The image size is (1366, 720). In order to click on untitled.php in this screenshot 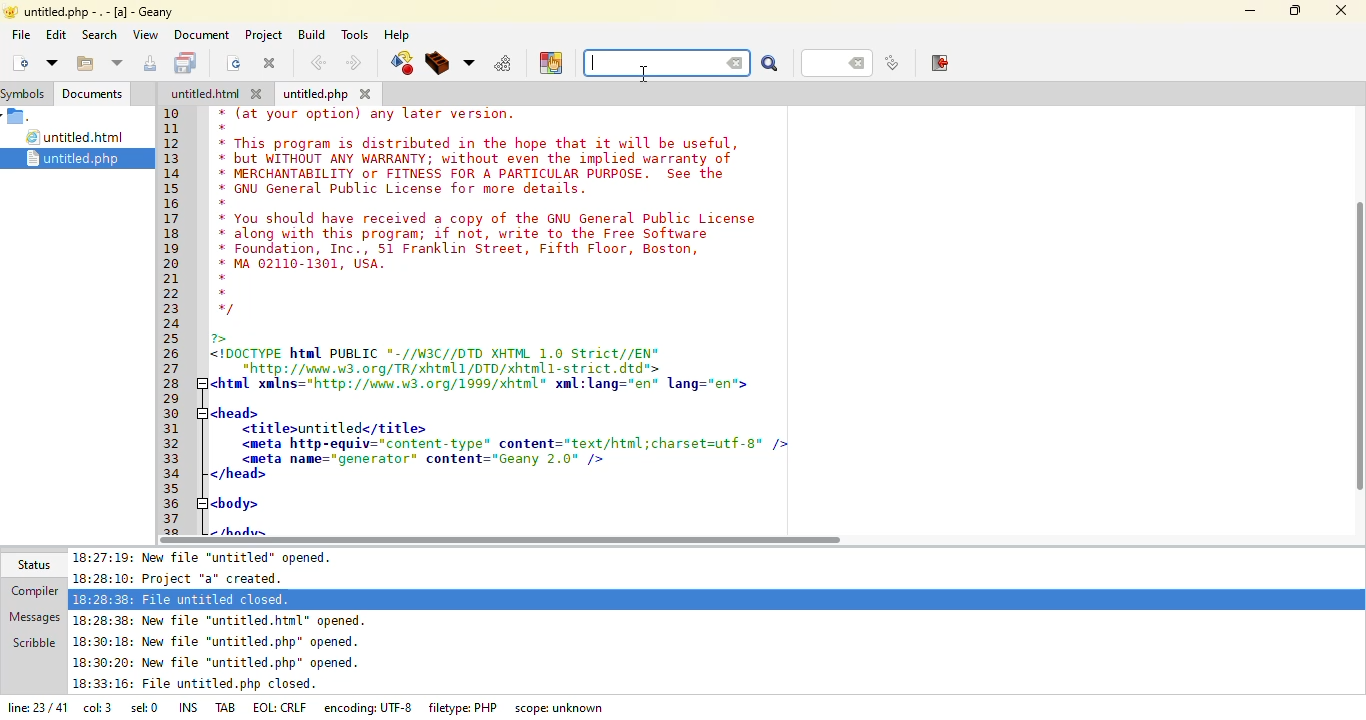, I will do `click(85, 158)`.